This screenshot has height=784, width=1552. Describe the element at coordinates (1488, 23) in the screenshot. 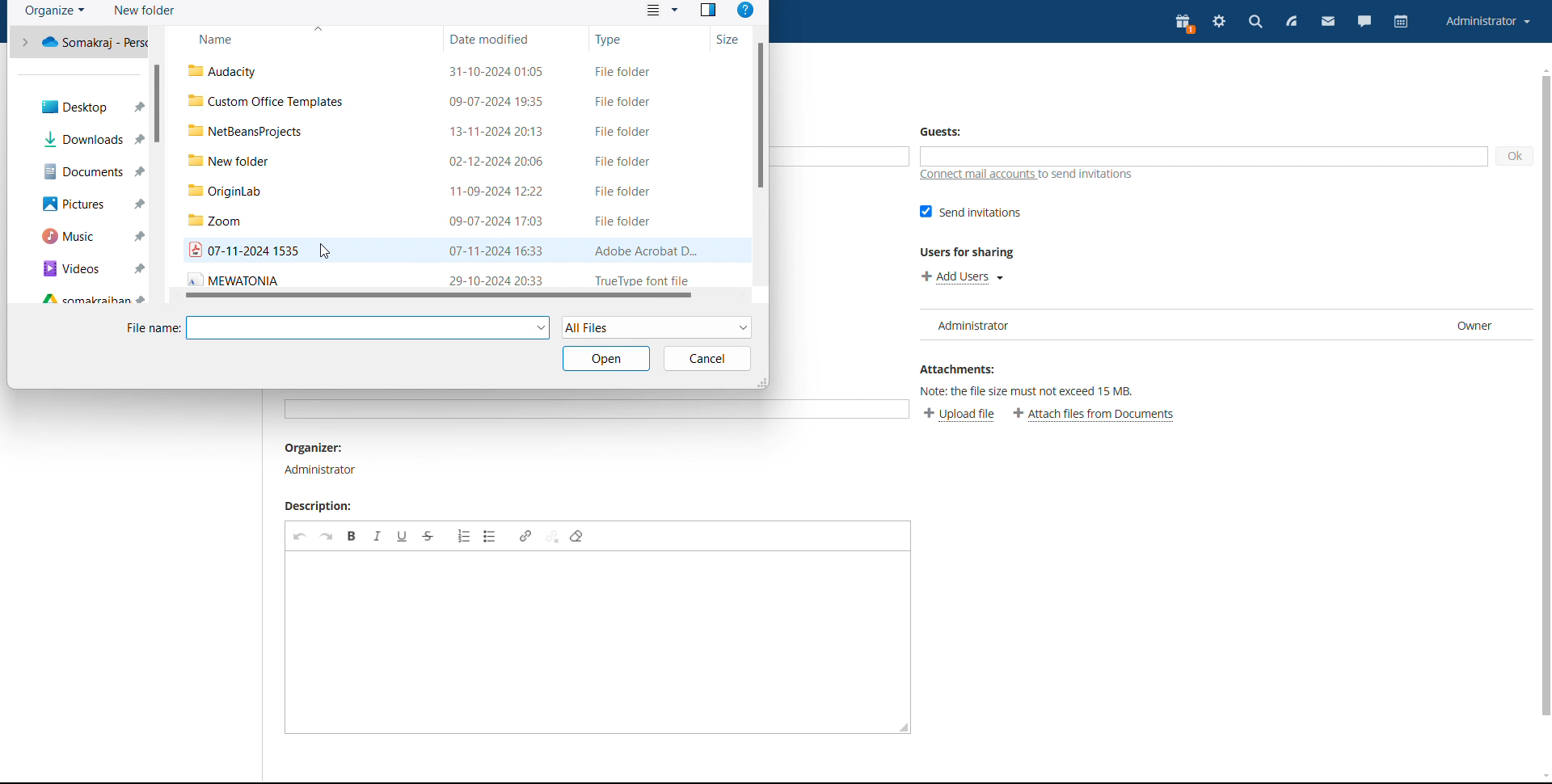

I see `account` at that location.